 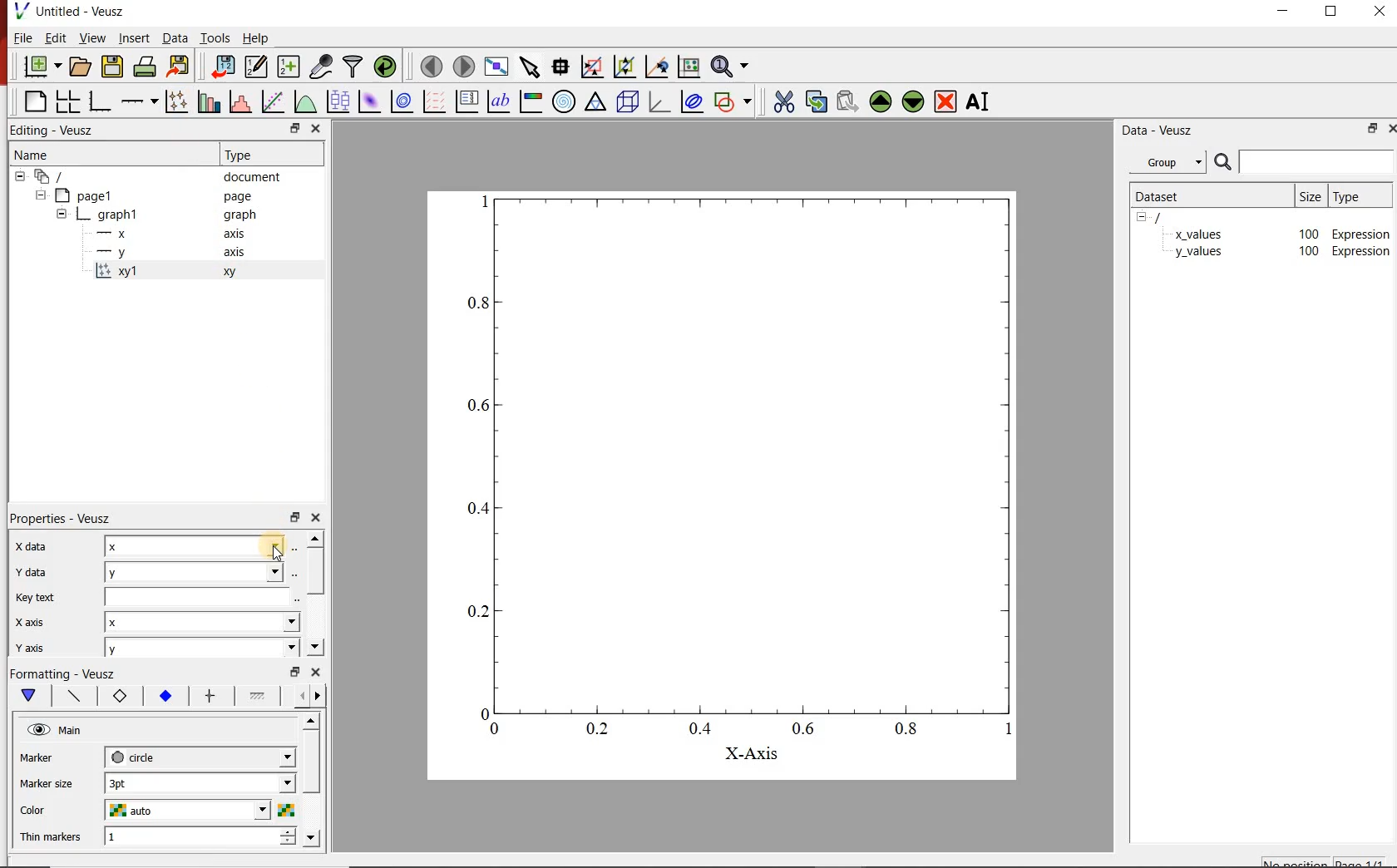 I want to click on open document, so click(x=81, y=66).